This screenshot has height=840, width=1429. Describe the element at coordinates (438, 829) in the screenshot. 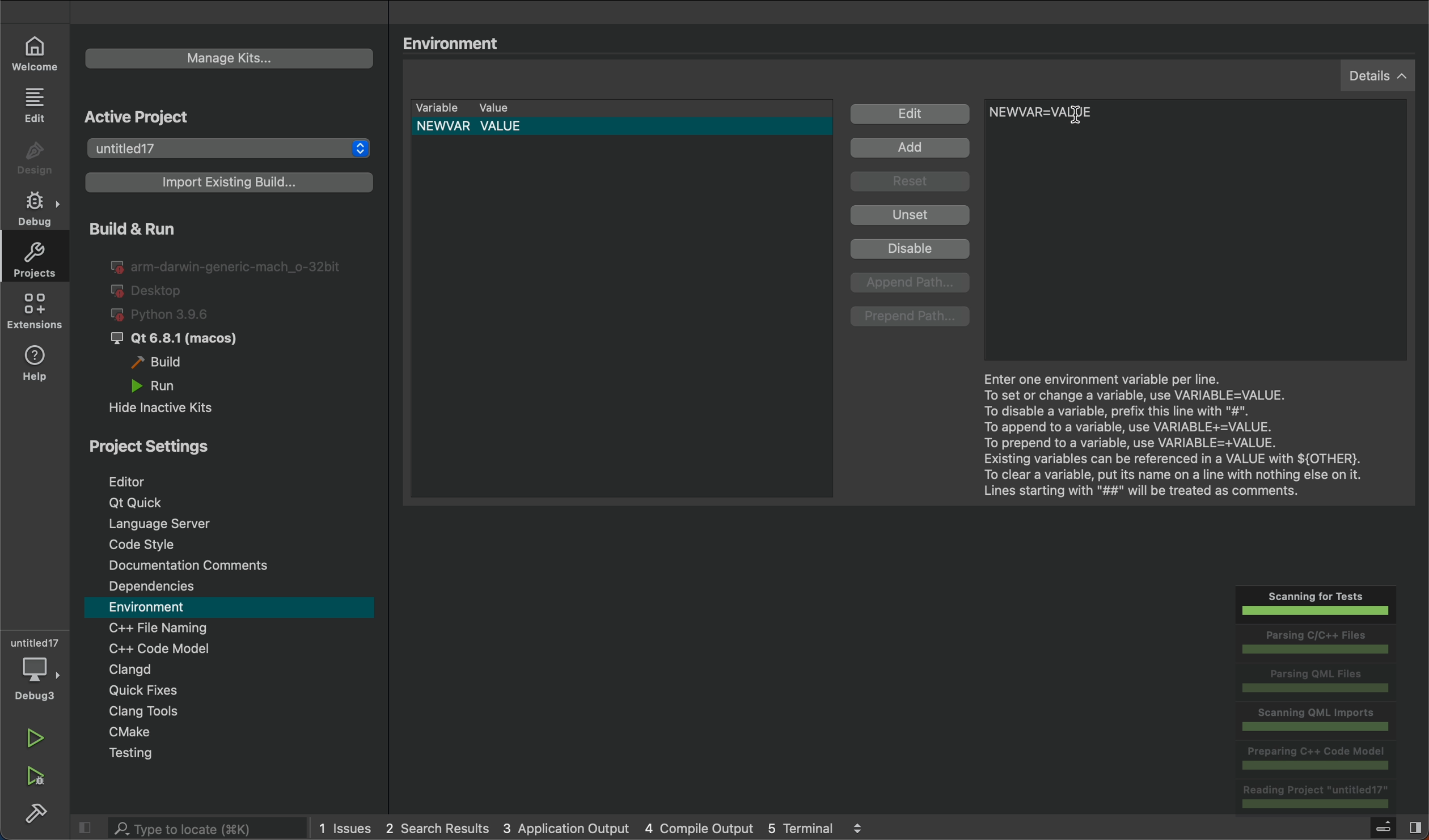

I see `2 search results` at that location.